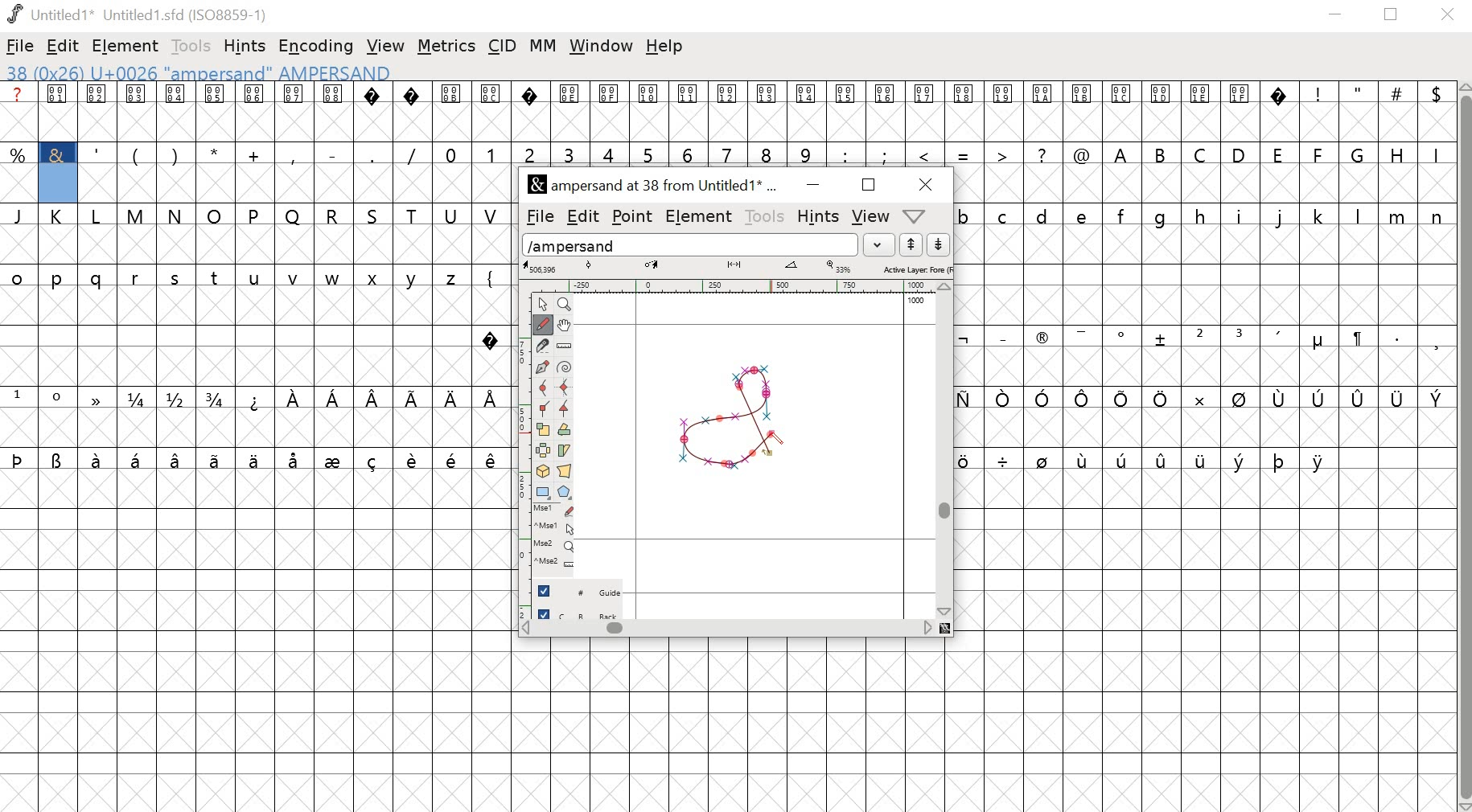 This screenshot has height=812, width=1472. Describe the element at coordinates (256, 279) in the screenshot. I see `u` at that location.